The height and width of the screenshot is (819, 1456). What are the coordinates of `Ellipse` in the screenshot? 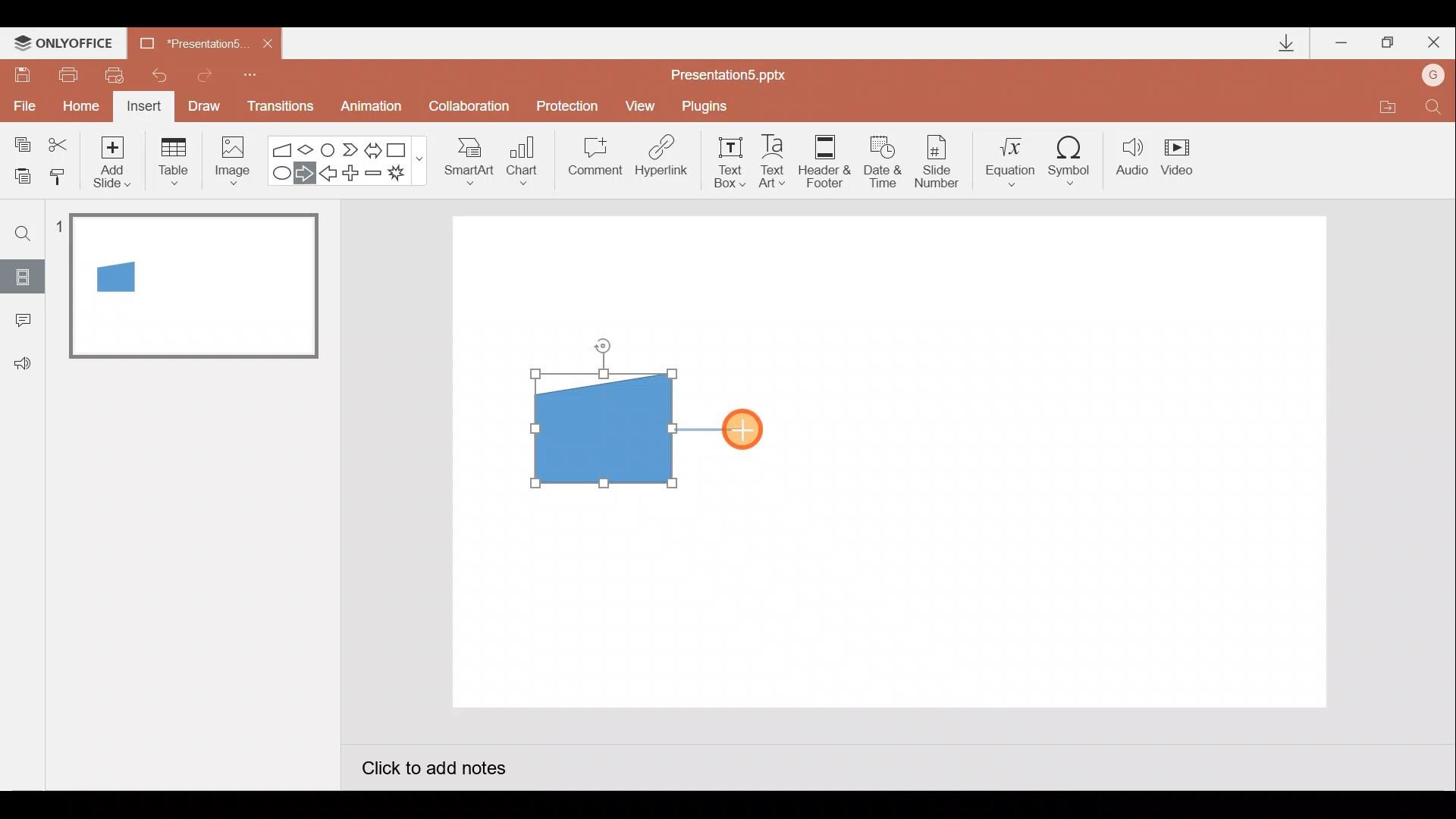 It's located at (278, 174).